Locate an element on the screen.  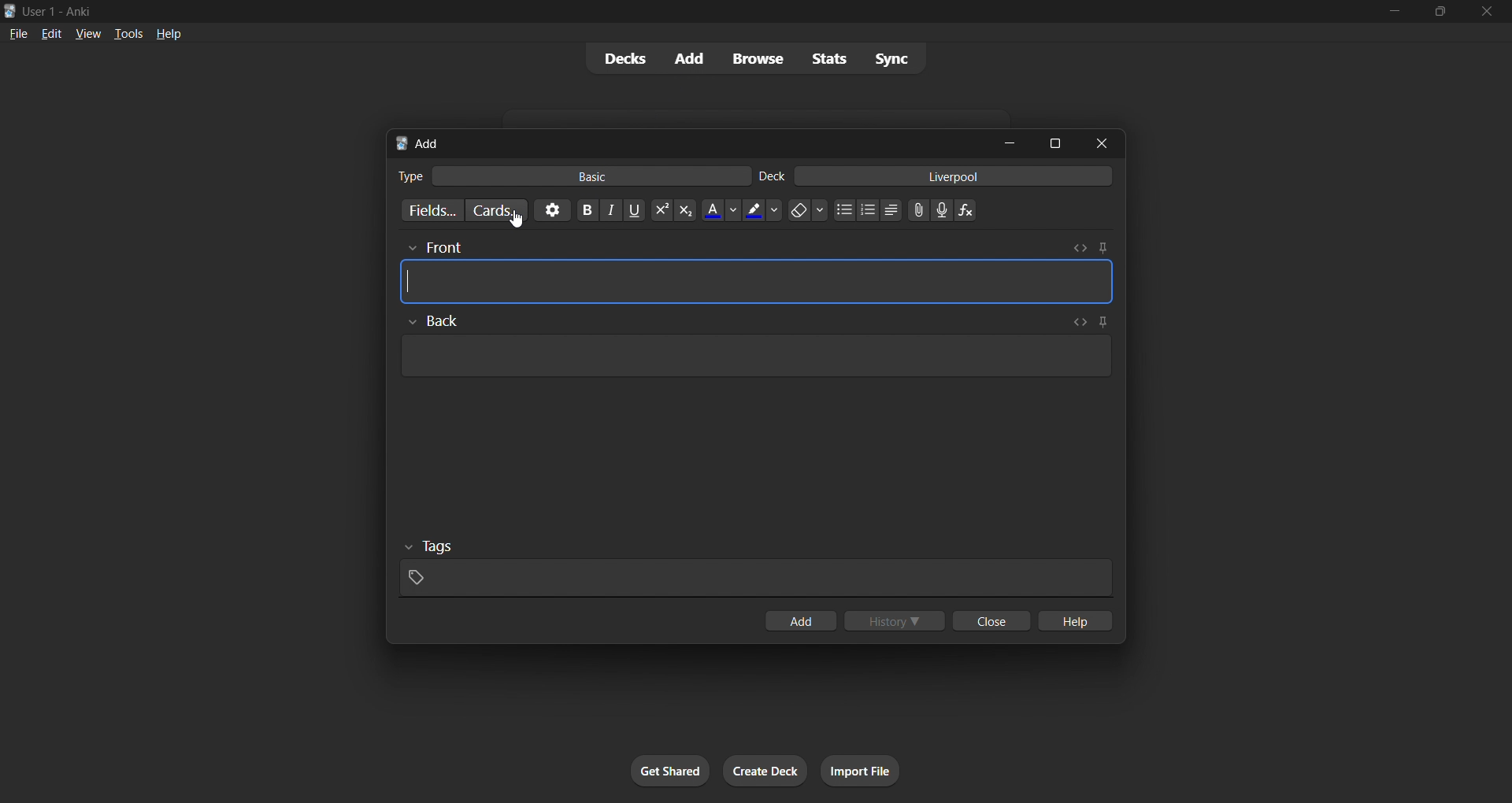
view is located at coordinates (85, 33).